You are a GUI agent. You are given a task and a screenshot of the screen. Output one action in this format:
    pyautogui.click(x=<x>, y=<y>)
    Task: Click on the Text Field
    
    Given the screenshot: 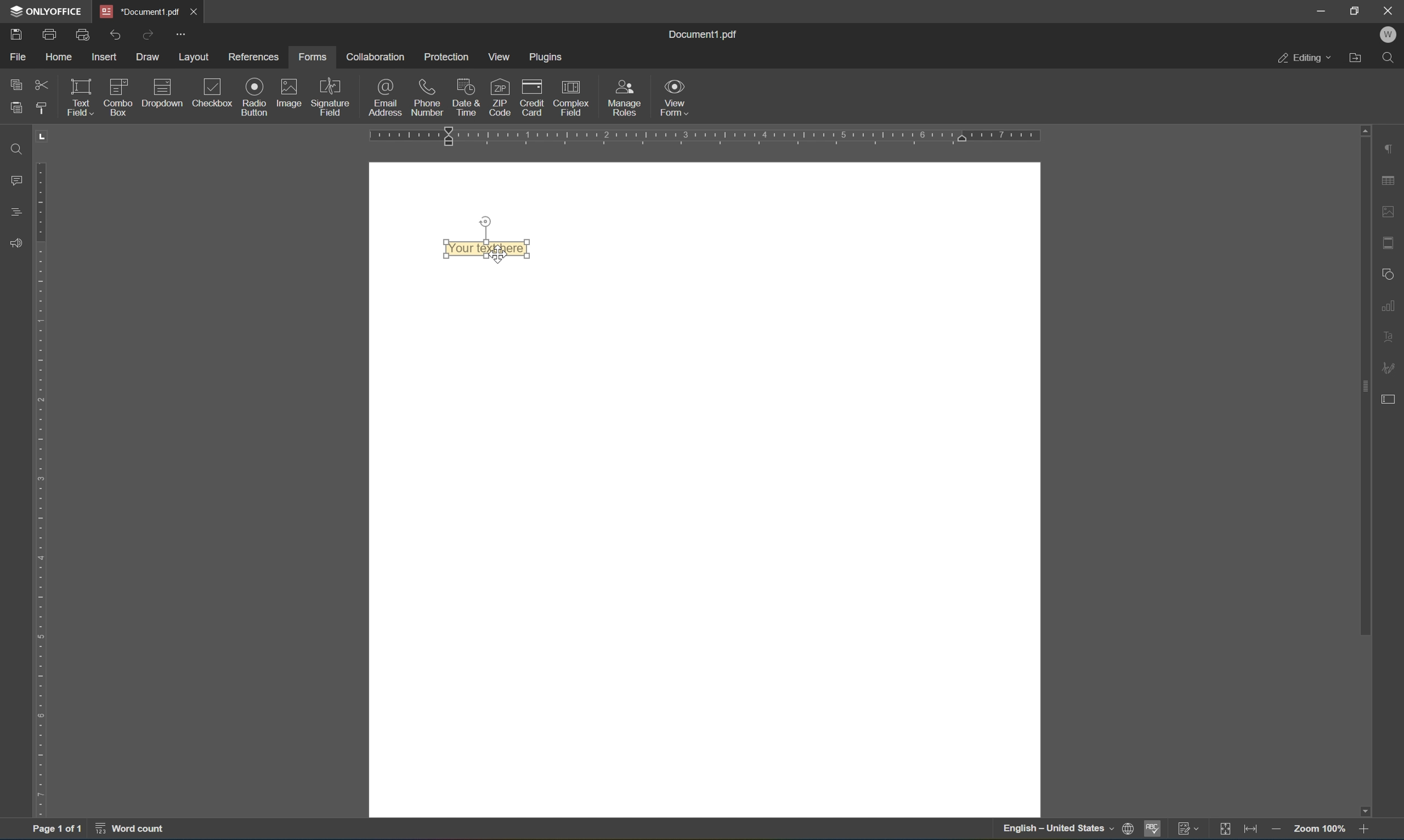 What is the action you would take?
    pyautogui.click(x=493, y=250)
    